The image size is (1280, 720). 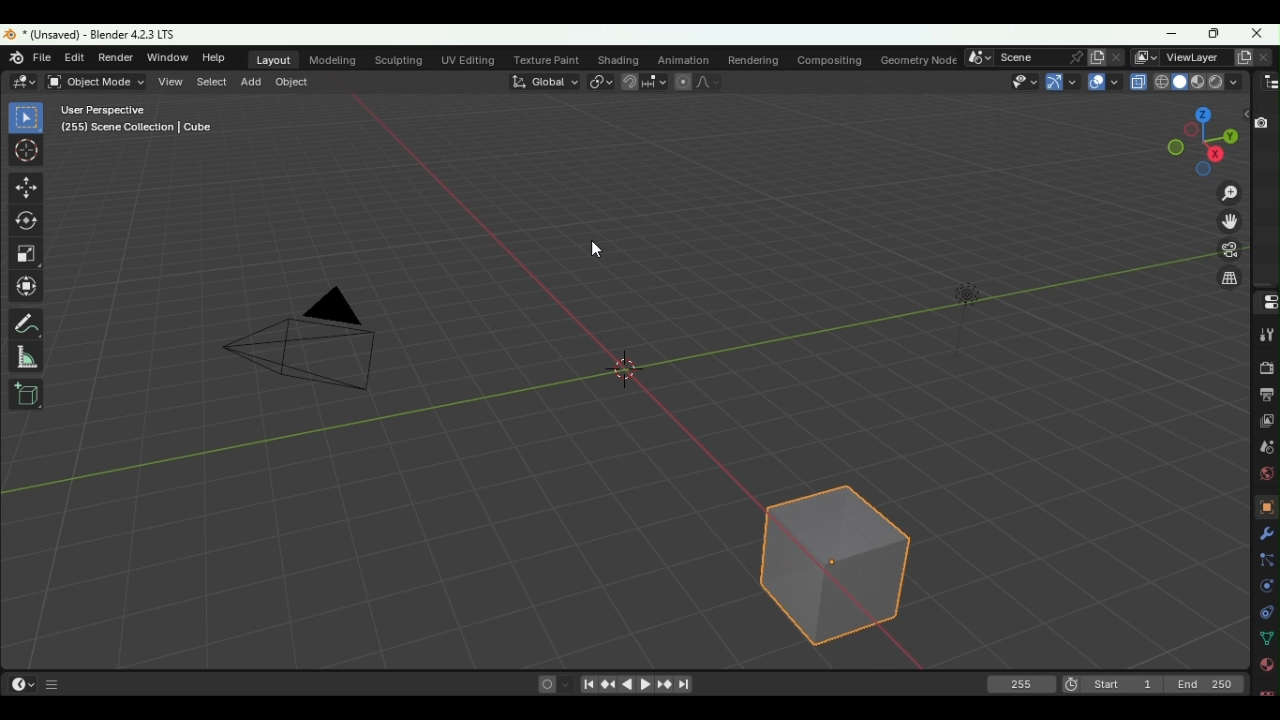 I want to click on scale, so click(x=28, y=255).